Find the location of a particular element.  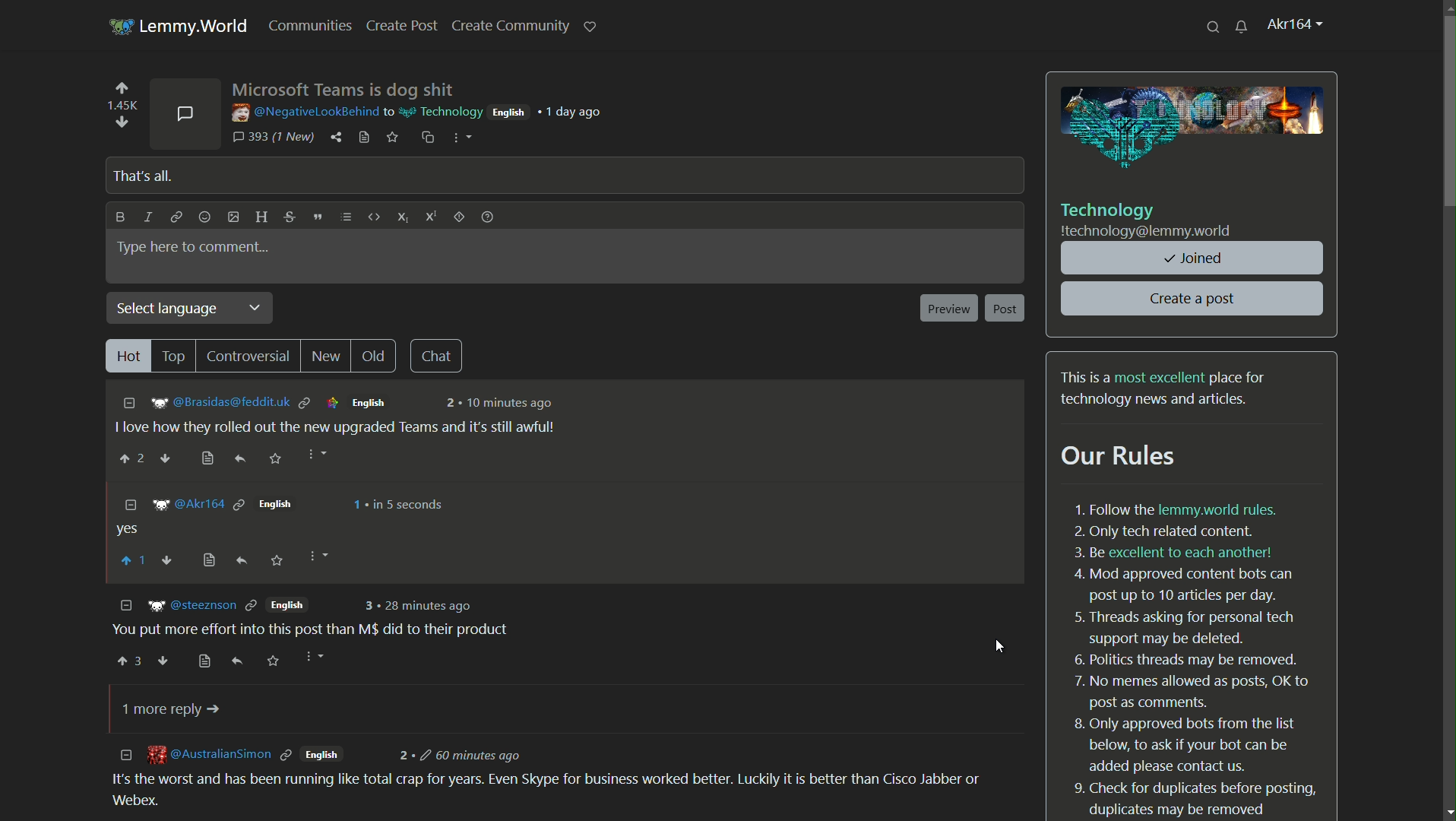

code is located at coordinates (372, 218).